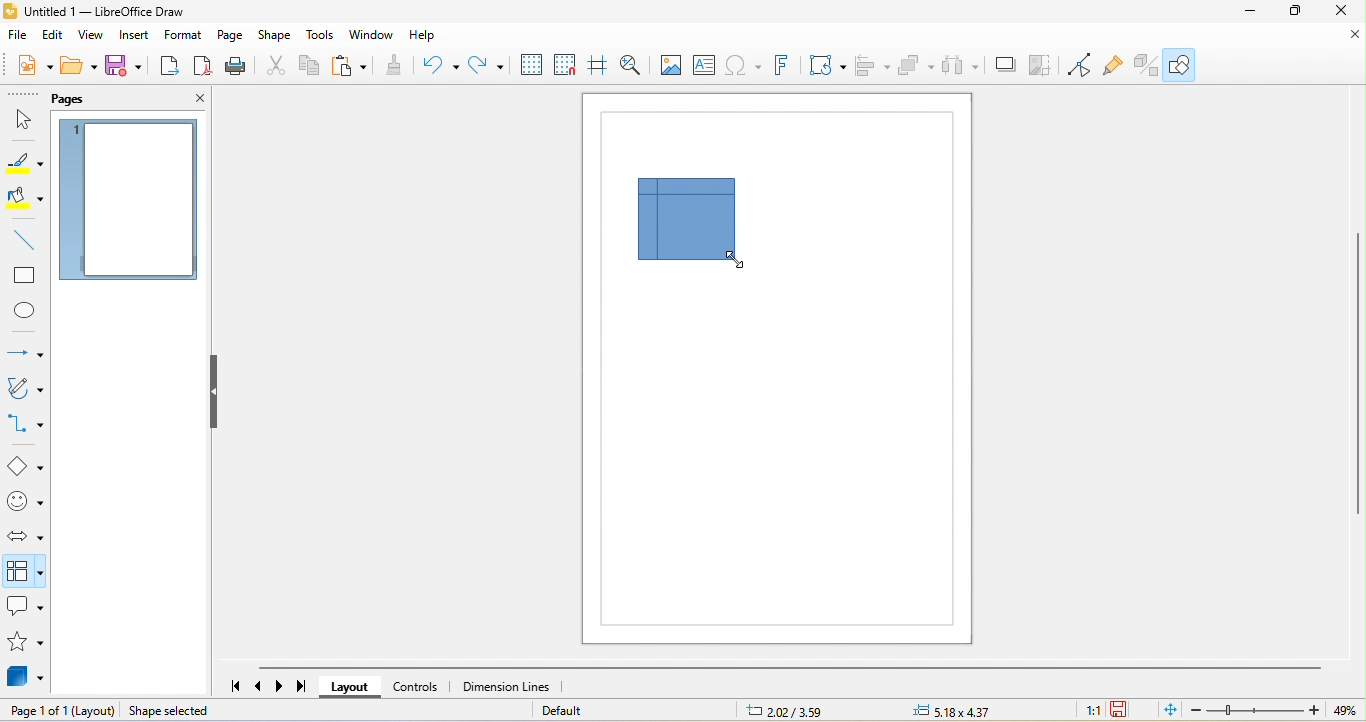 The image size is (1366, 722). I want to click on dimension lines, so click(506, 686).